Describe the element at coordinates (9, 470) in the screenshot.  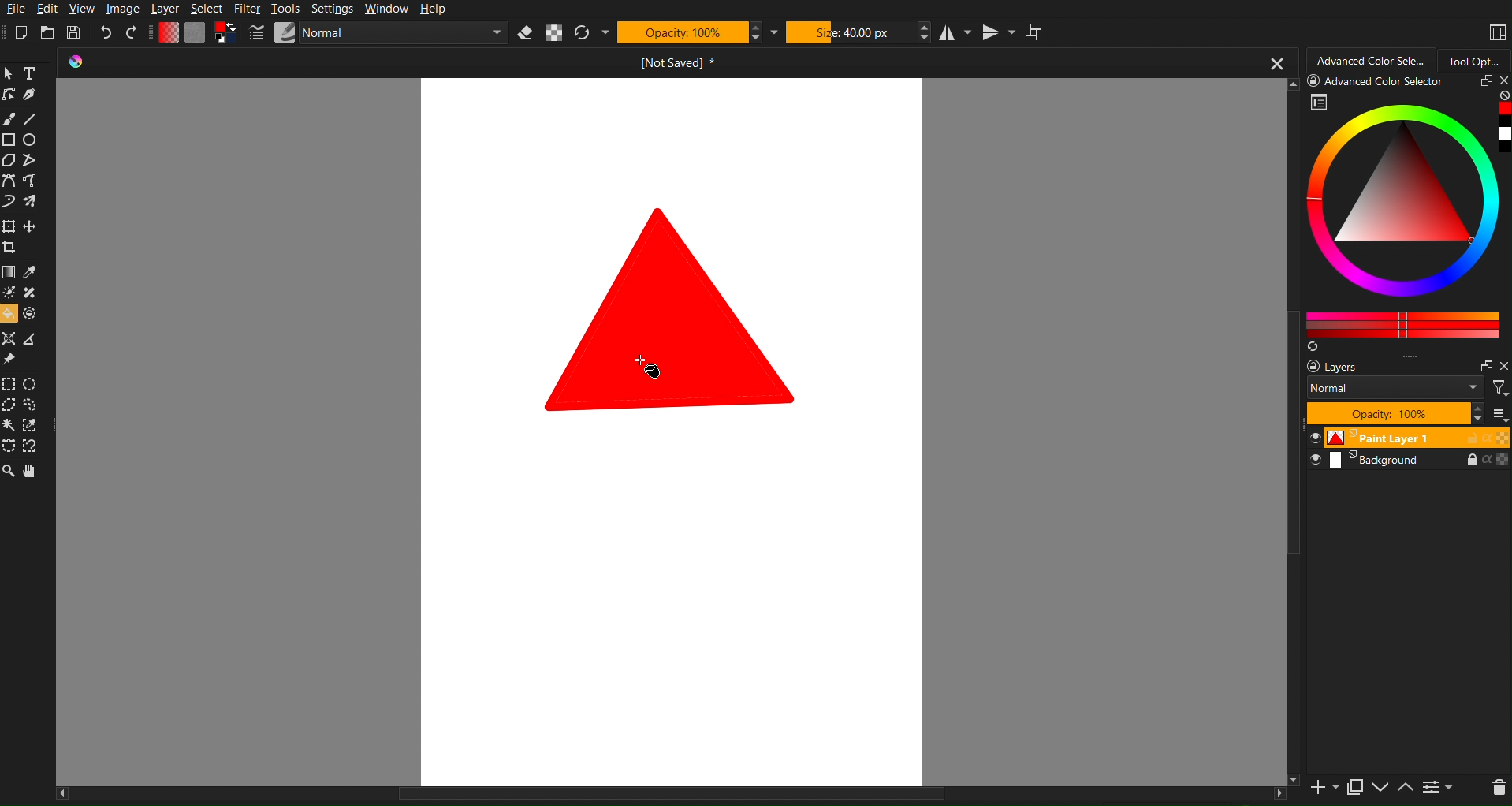
I see `Zoom` at that location.